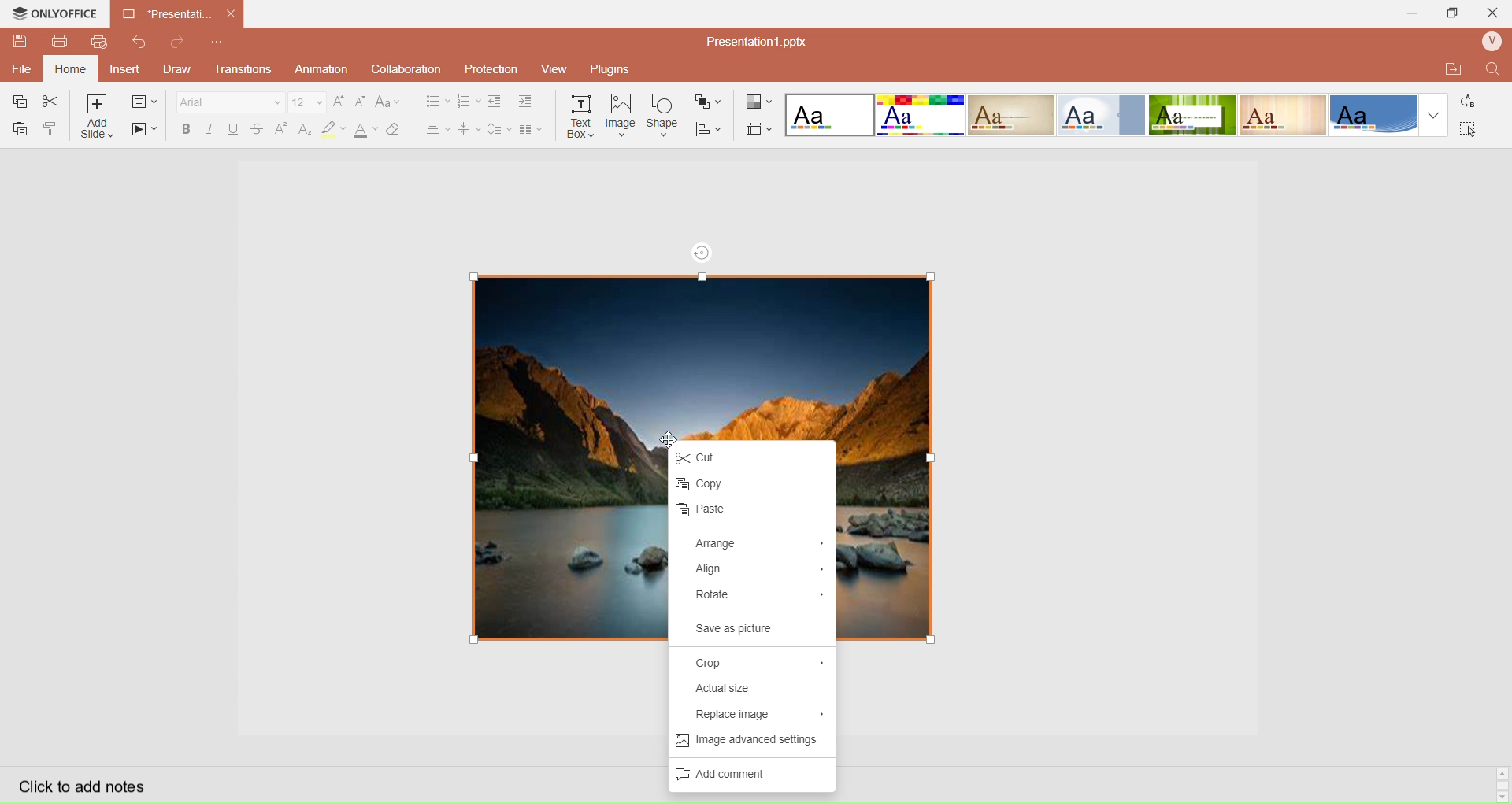 The image size is (1512, 803). What do you see at coordinates (759, 129) in the screenshot?
I see `Select Slide Size` at bounding box center [759, 129].